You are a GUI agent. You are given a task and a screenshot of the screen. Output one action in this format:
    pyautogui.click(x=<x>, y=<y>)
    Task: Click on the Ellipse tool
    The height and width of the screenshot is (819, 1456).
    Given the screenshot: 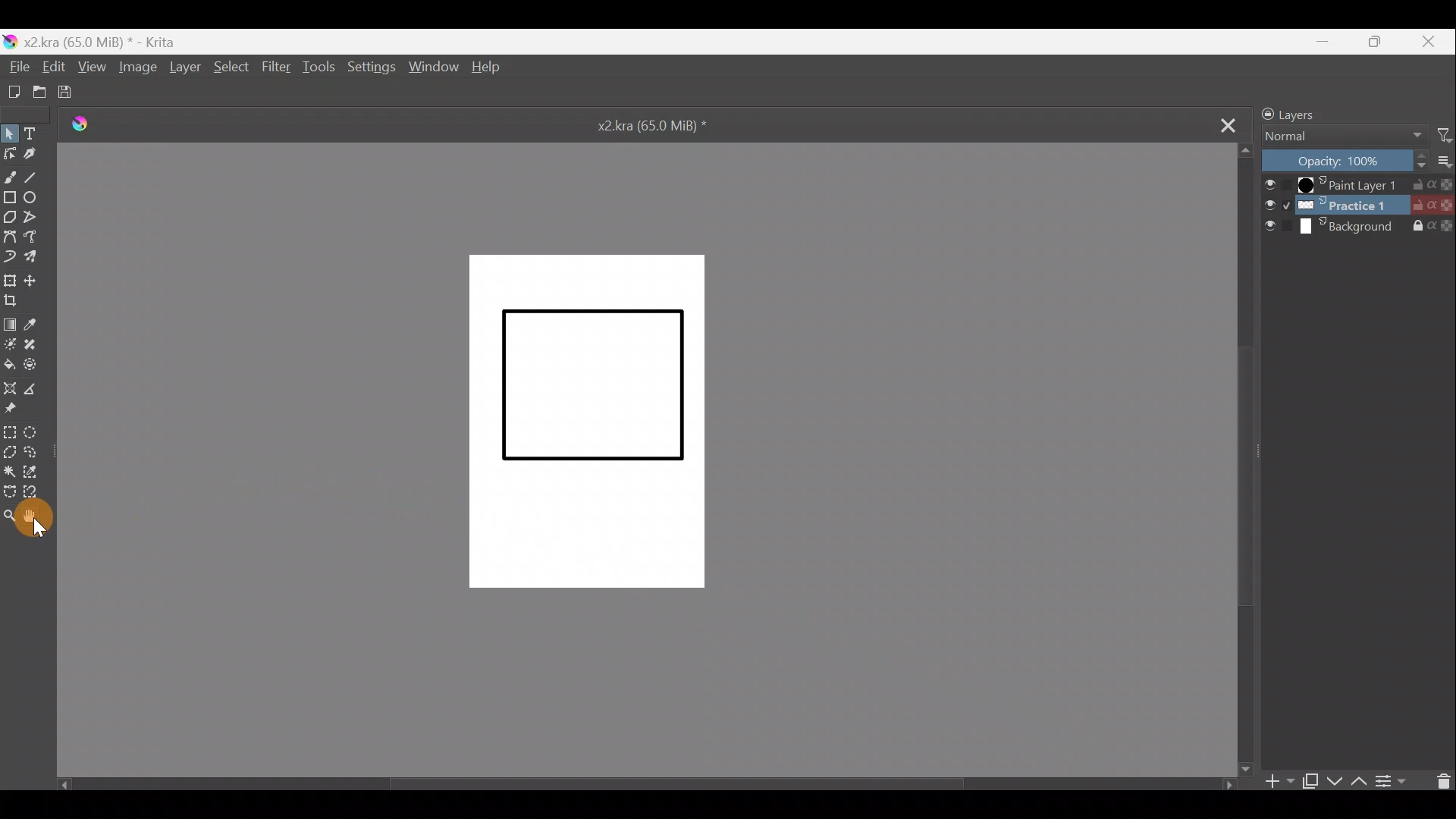 What is the action you would take?
    pyautogui.click(x=36, y=196)
    